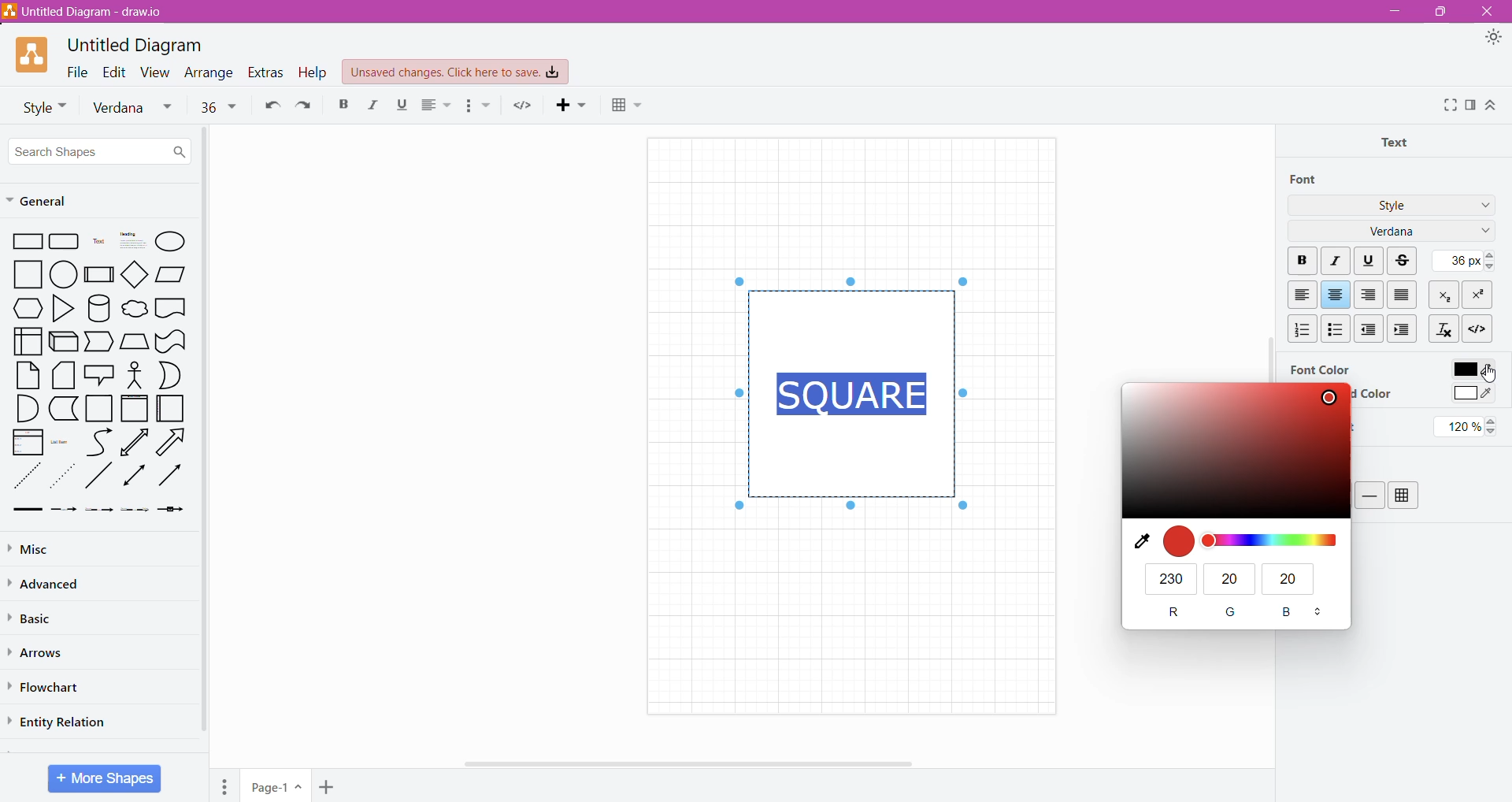 This screenshot has height=802, width=1512. What do you see at coordinates (1172, 578) in the screenshot?
I see `230` at bounding box center [1172, 578].